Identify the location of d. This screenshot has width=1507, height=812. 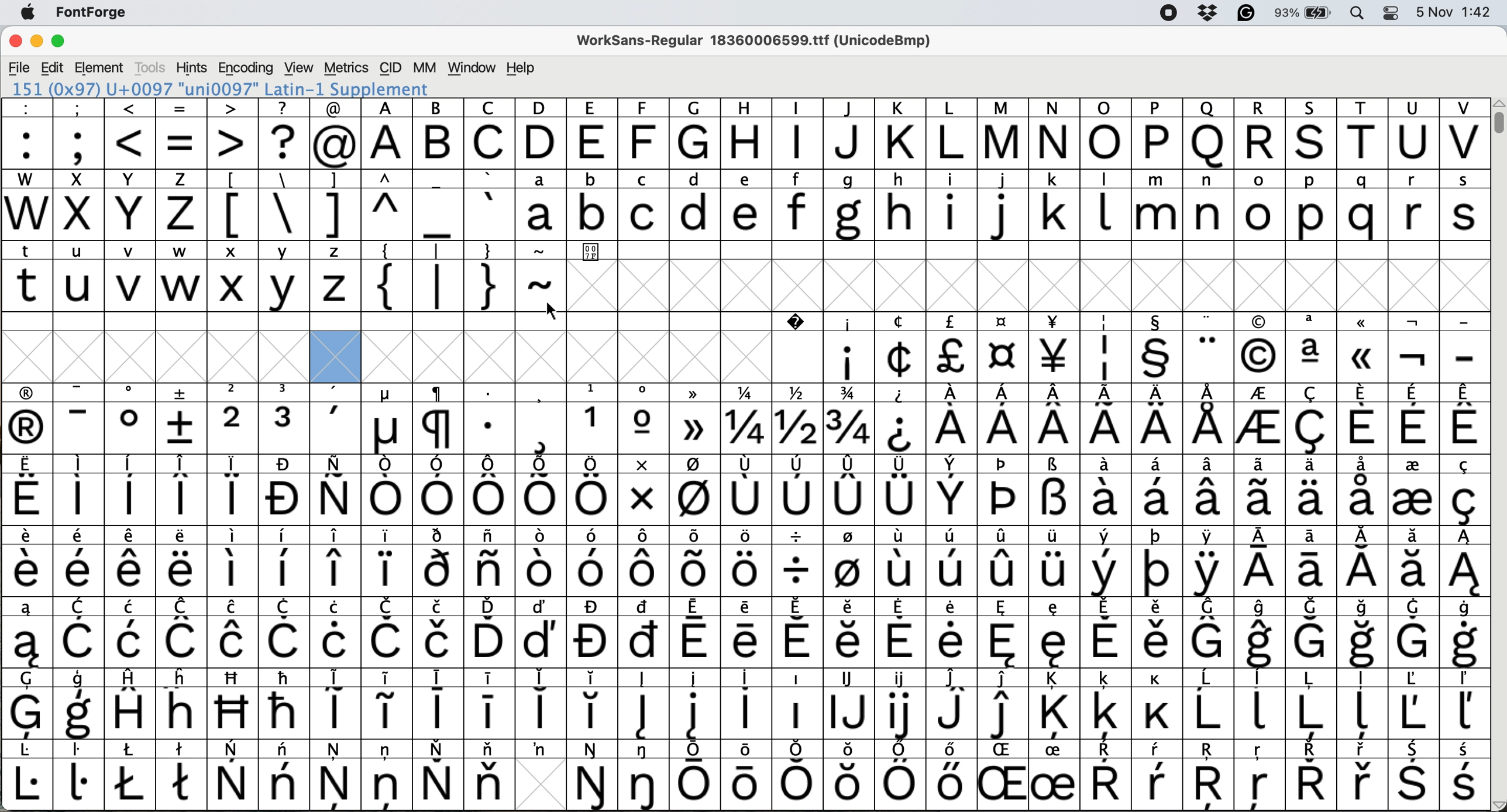
(697, 205).